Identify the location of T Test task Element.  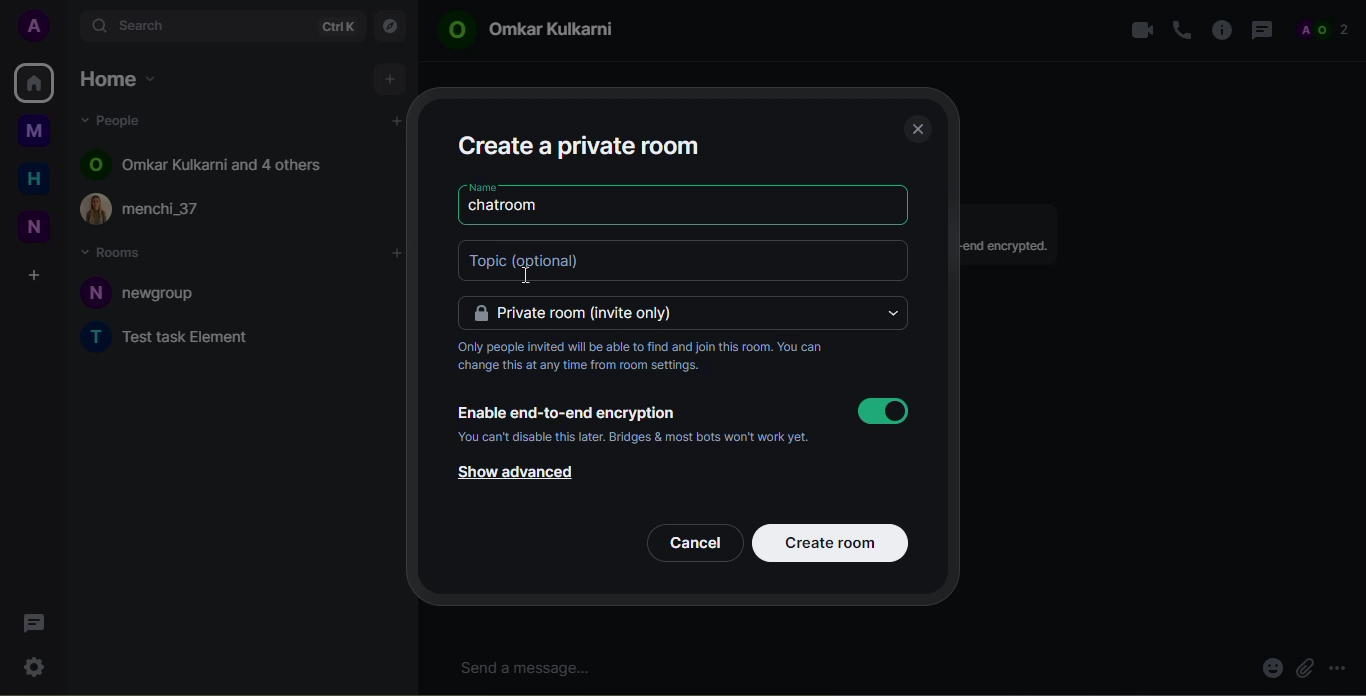
(175, 337).